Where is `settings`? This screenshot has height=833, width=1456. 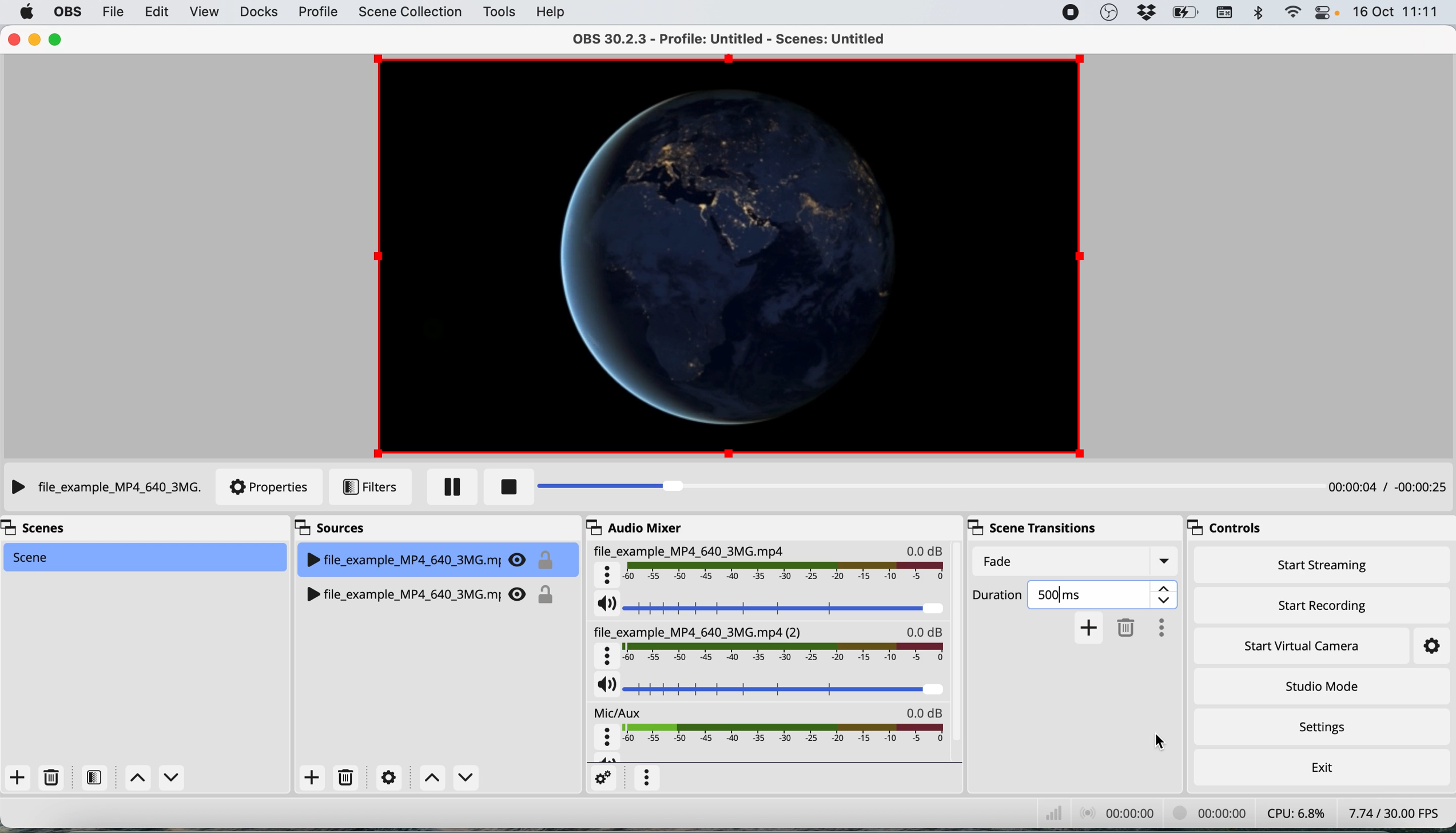 settings is located at coordinates (385, 778).